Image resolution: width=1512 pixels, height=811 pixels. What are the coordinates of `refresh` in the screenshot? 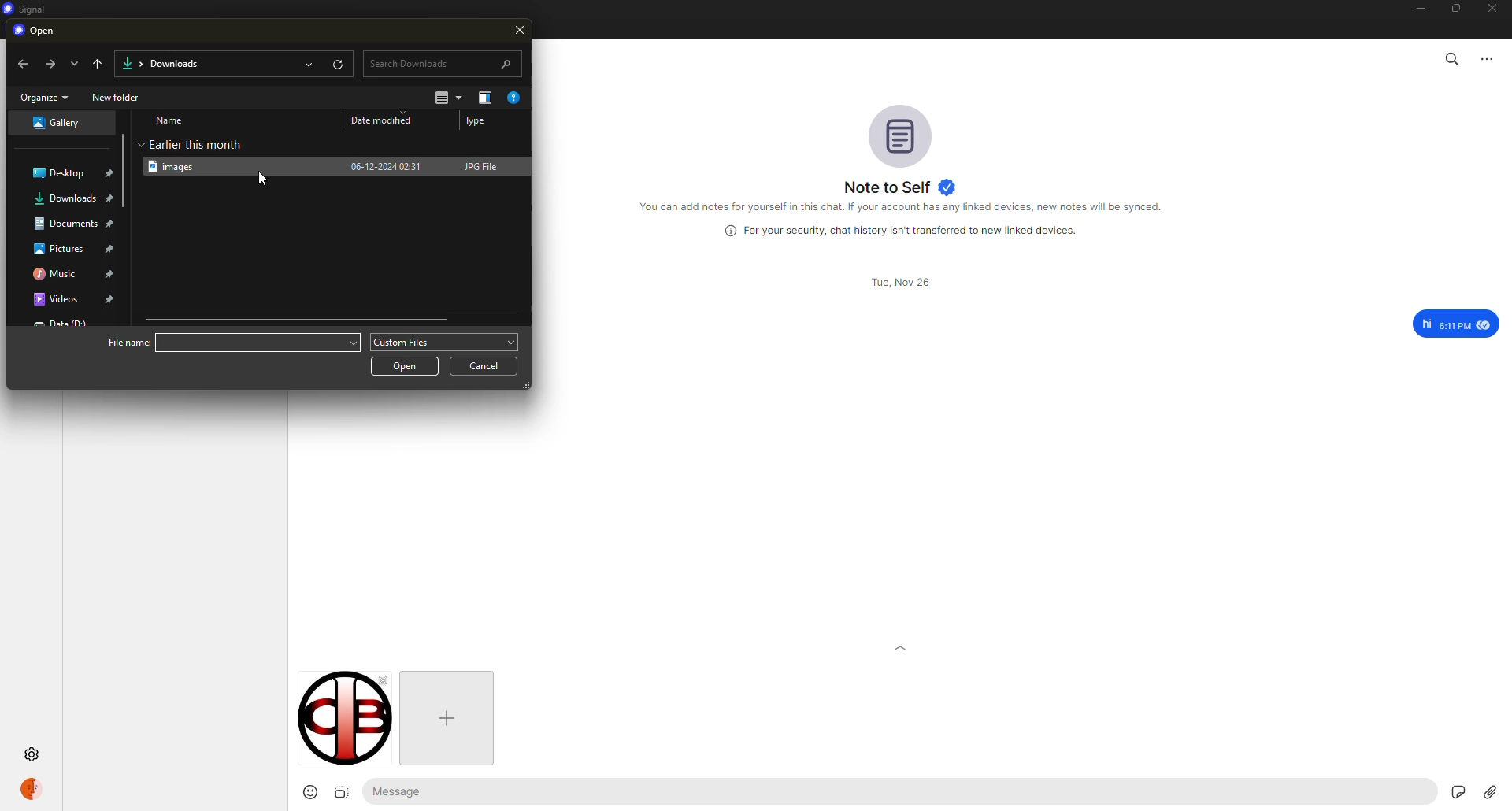 It's located at (338, 63).